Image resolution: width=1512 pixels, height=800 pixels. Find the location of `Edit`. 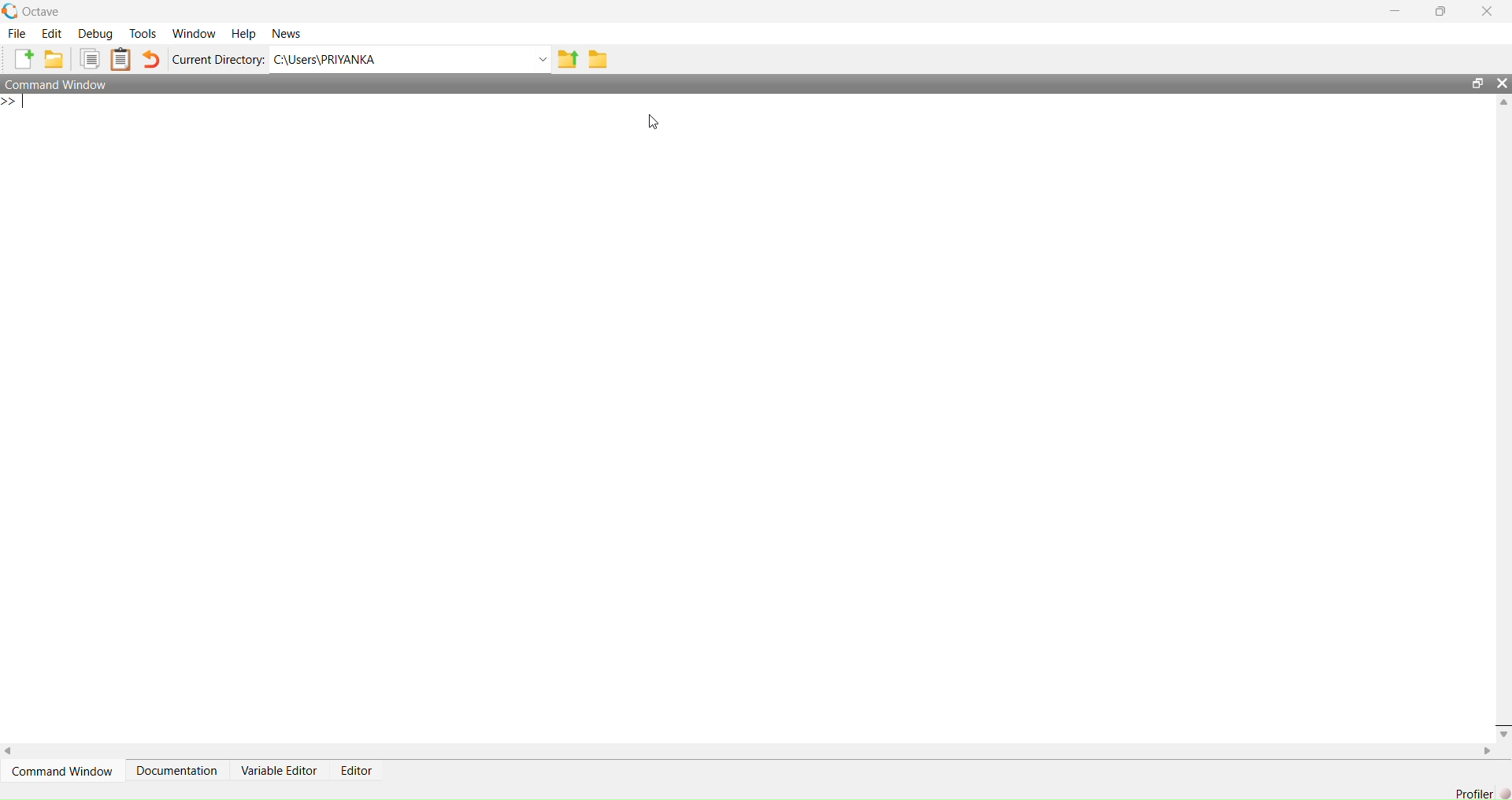

Edit is located at coordinates (52, 33).